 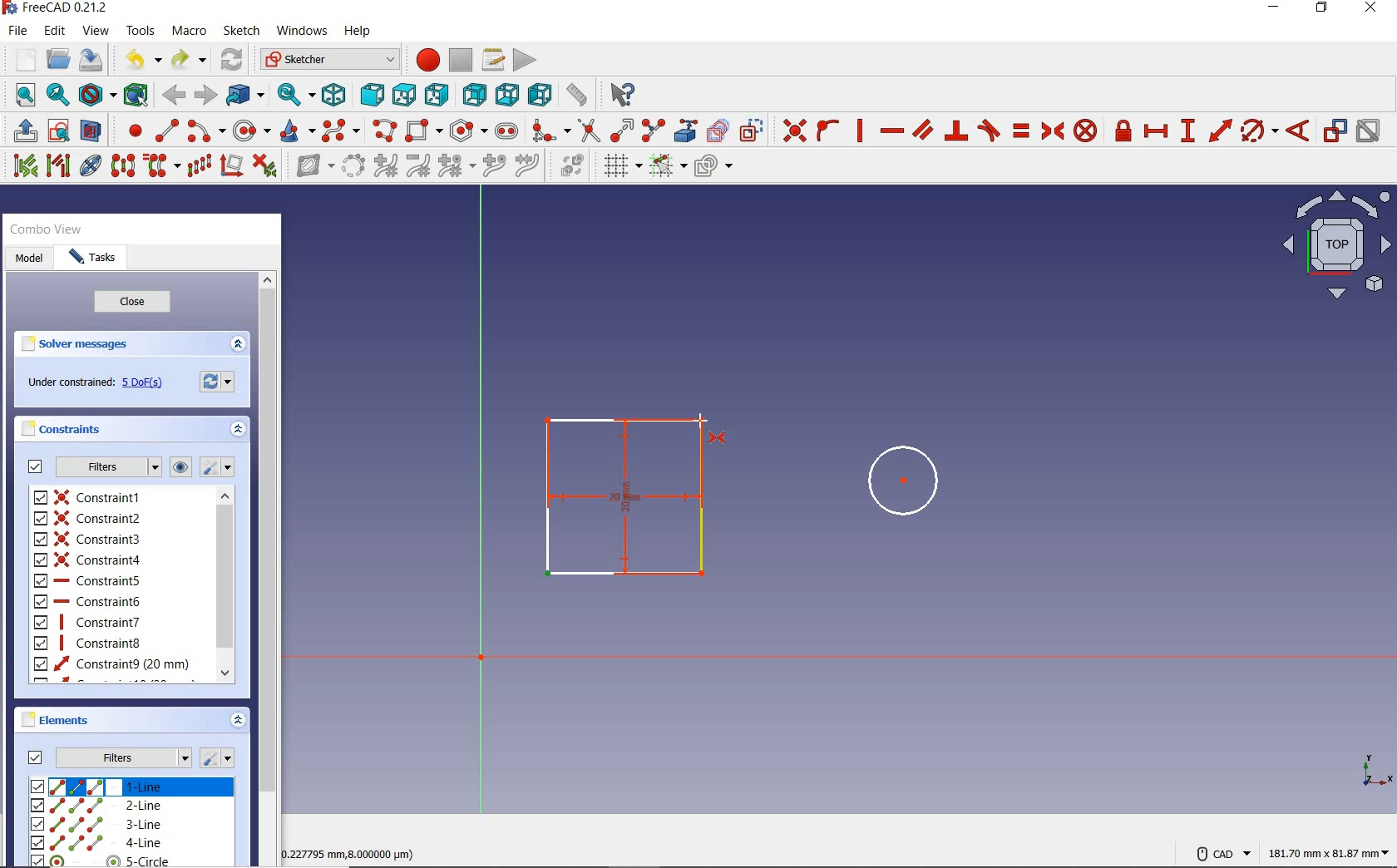 I want to click on constraints, so click(x=62, y=430).